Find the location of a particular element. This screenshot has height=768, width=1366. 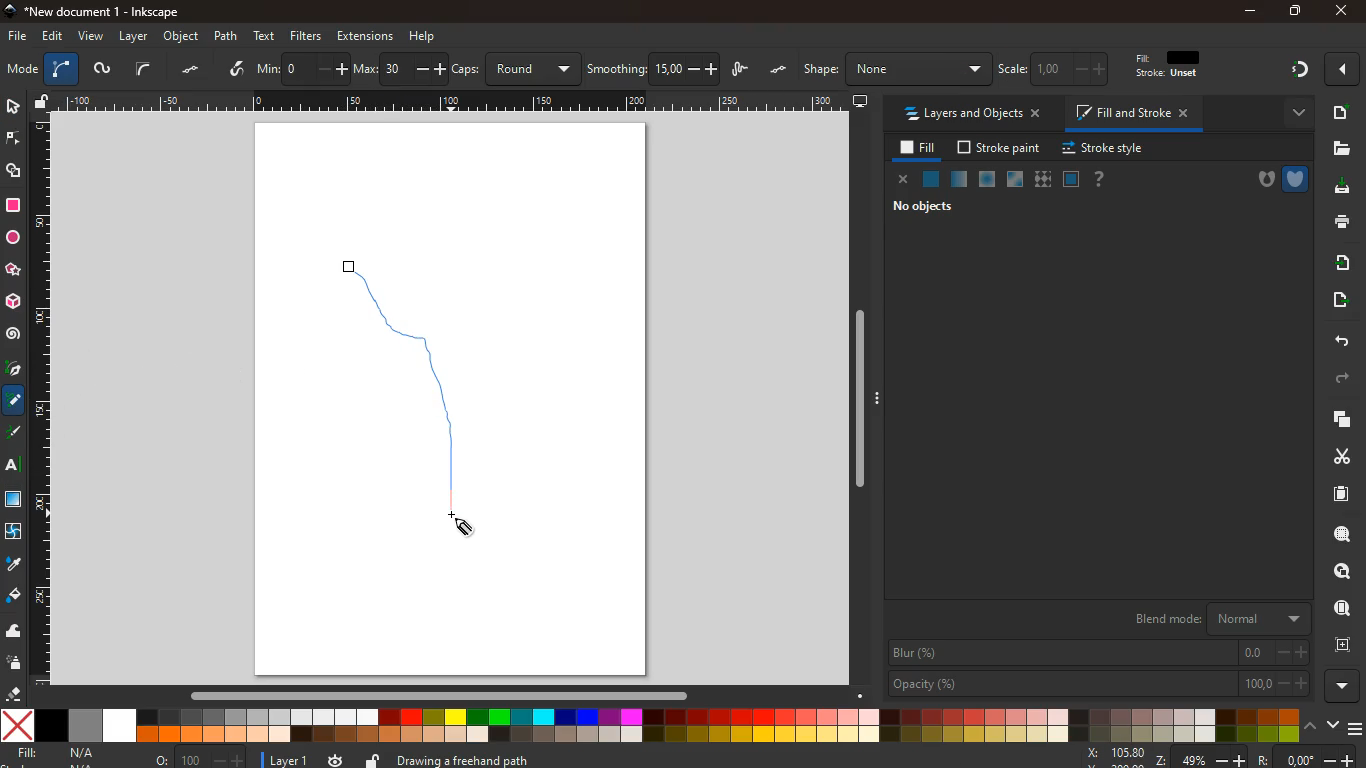

fill is located at coordinates (914, 148).